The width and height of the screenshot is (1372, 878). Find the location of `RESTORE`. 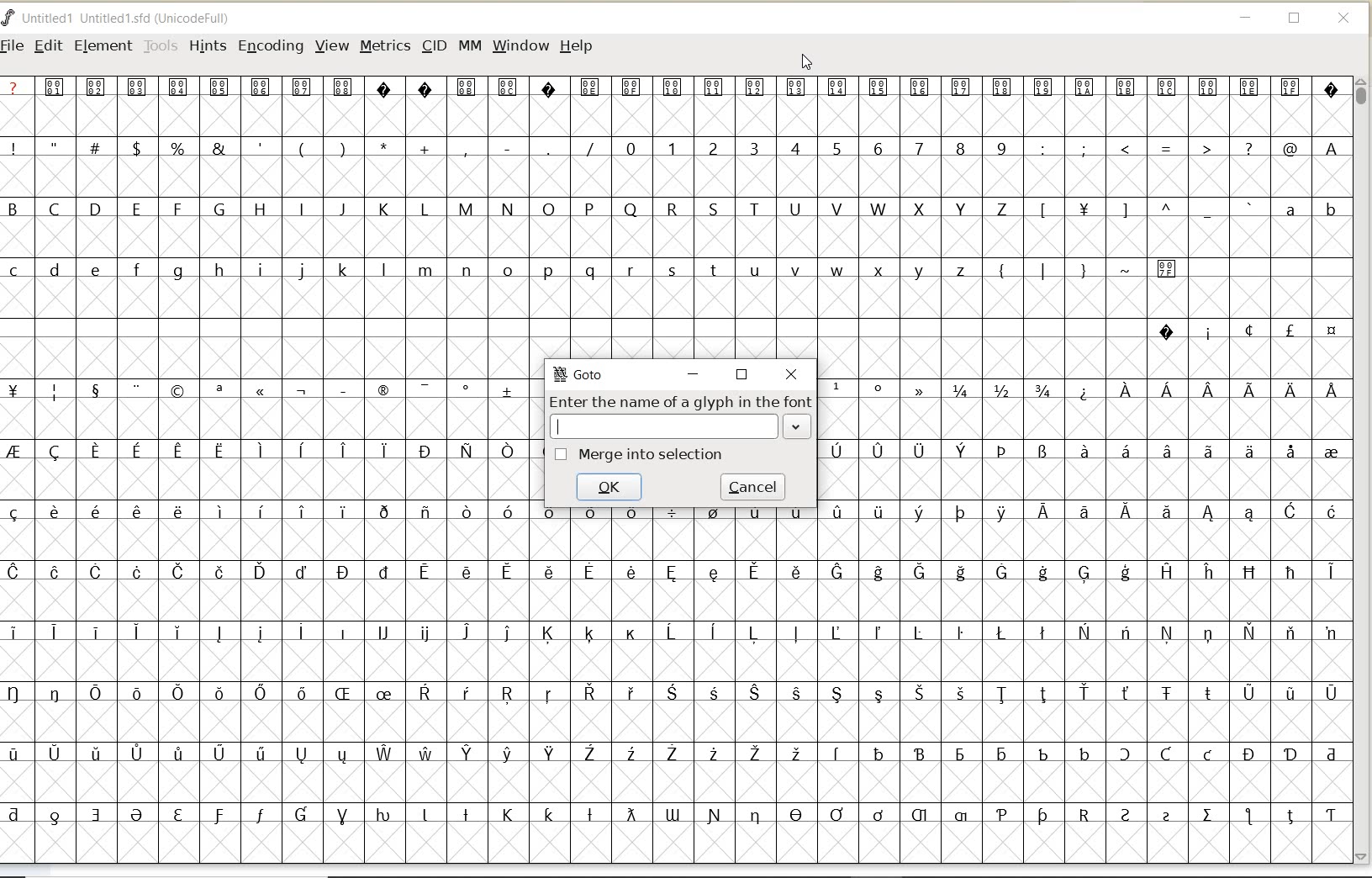

RESTORE is located at coordinates (1295, 21).